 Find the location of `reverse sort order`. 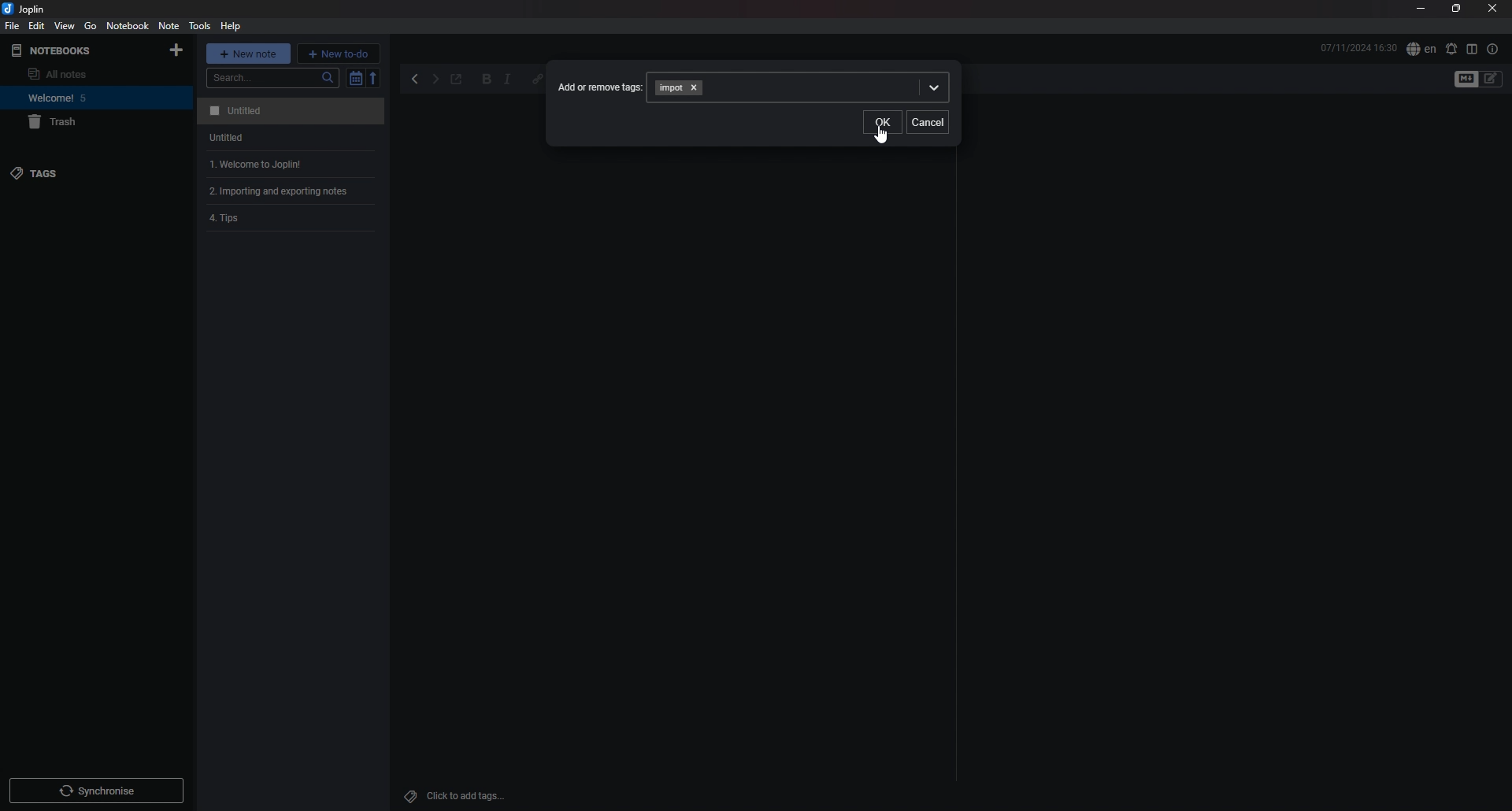

reverse sort order is located at coordinates (375, 77).